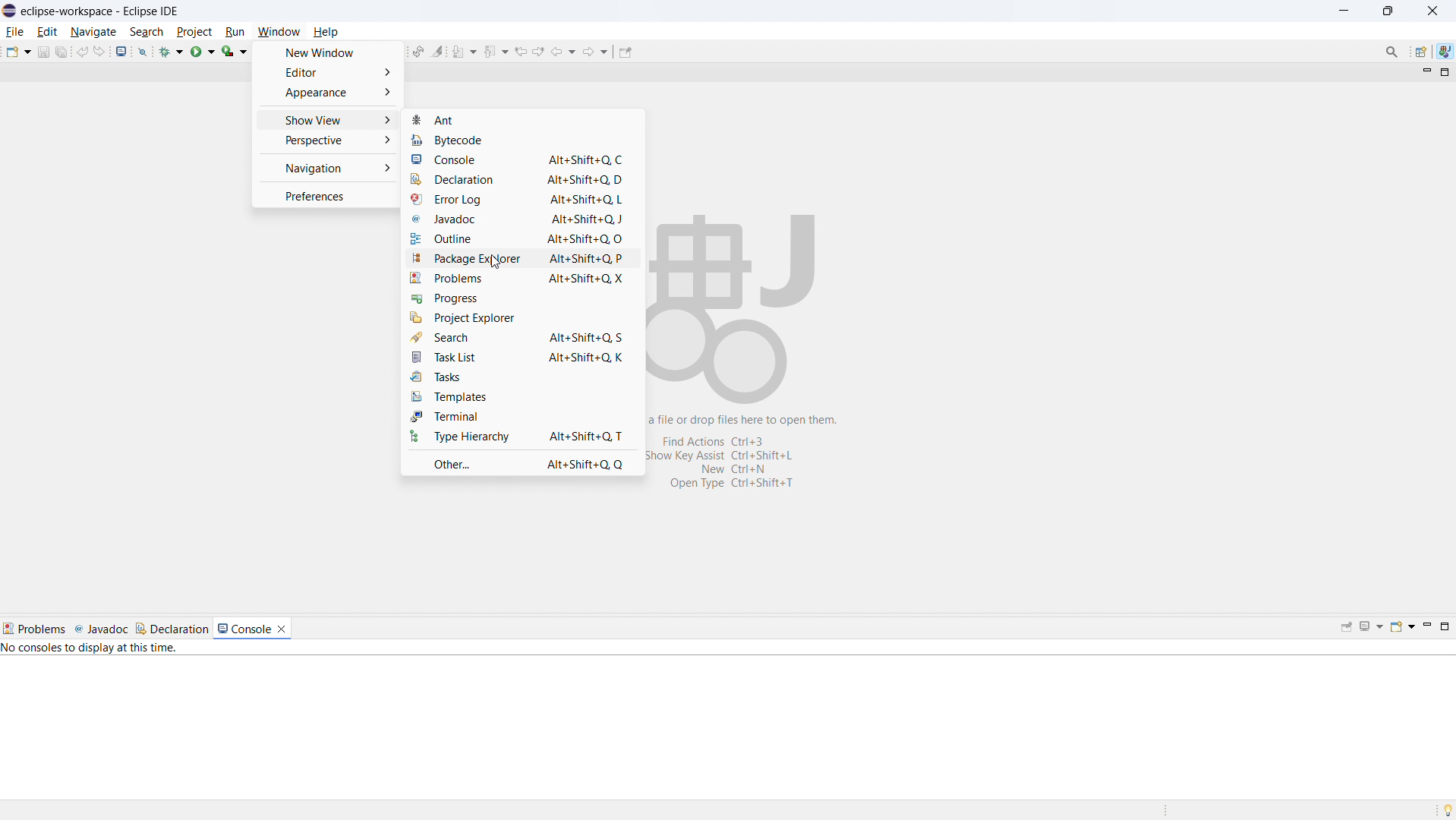 The height and width of the screenshot is (820, 1456). Describe the element at coordinates (329, 92) in the screenshot. I see `appearance` at that location.